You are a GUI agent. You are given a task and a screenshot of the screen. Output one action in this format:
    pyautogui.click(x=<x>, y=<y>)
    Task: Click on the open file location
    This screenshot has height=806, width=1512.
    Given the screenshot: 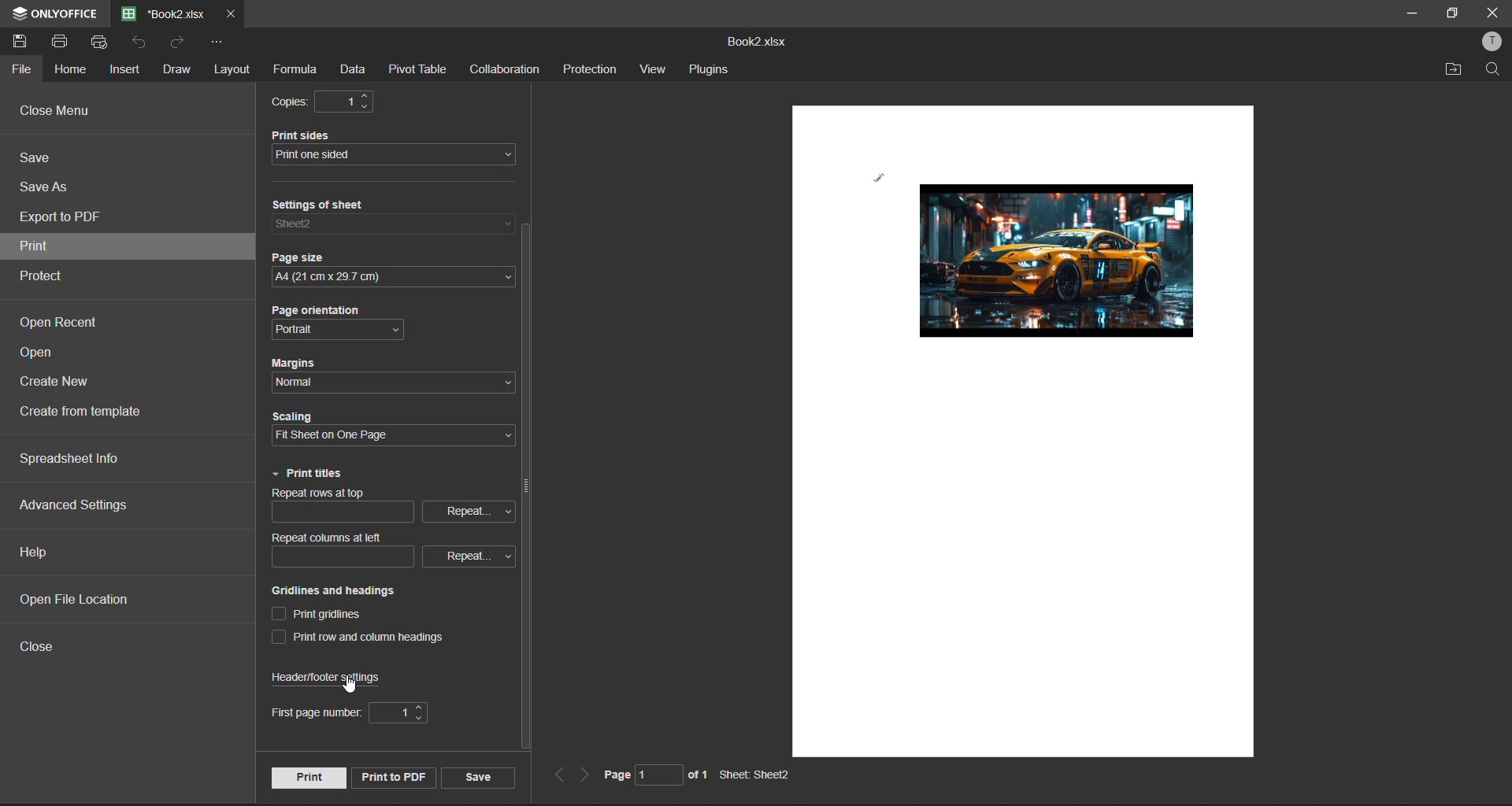 What is the action you would take?
    pyautogui.click(x=76, y=599)
    